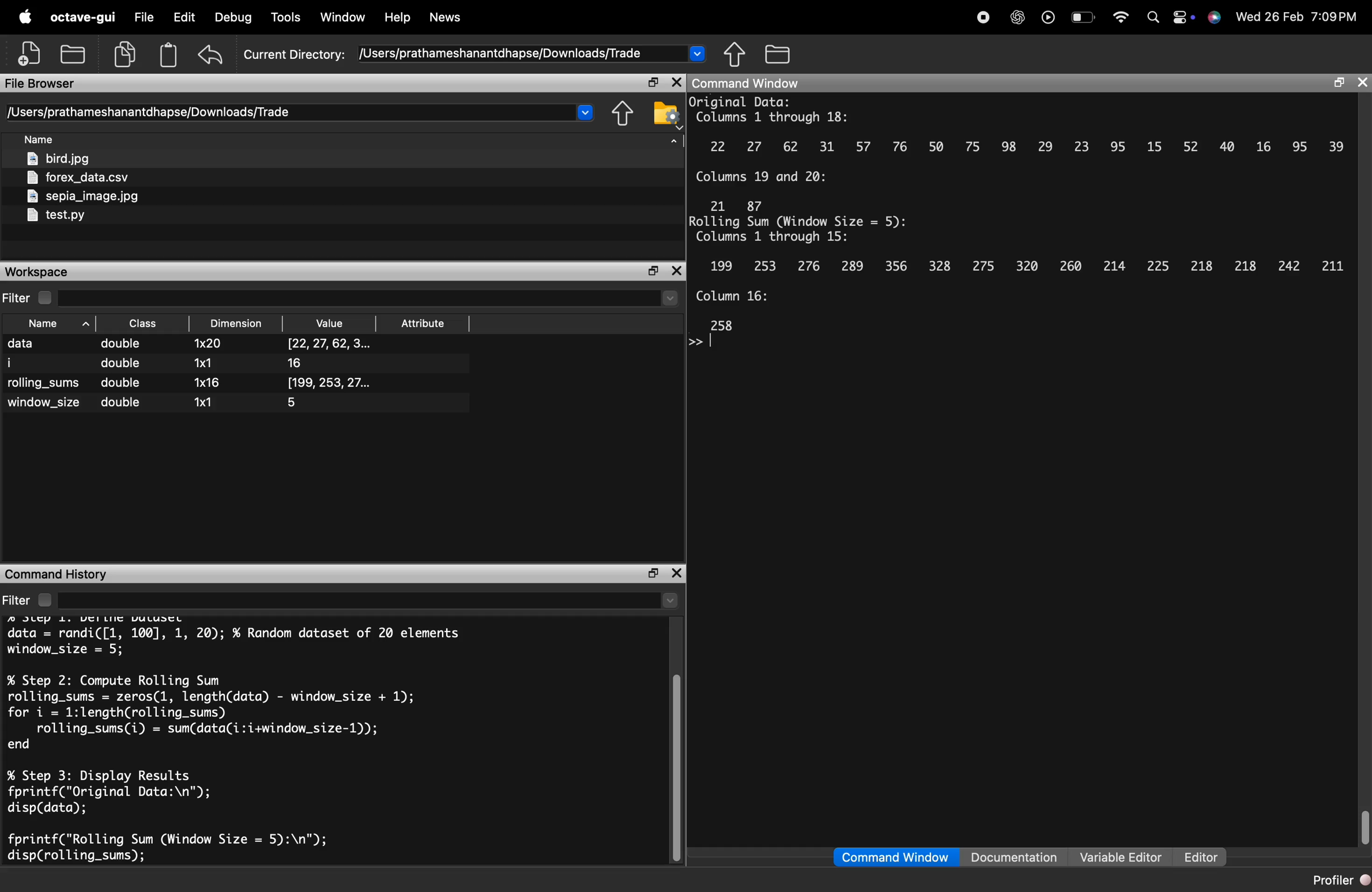  Describe the element at coordinates (983, 18) in the screenshot. I see `record` at that location.